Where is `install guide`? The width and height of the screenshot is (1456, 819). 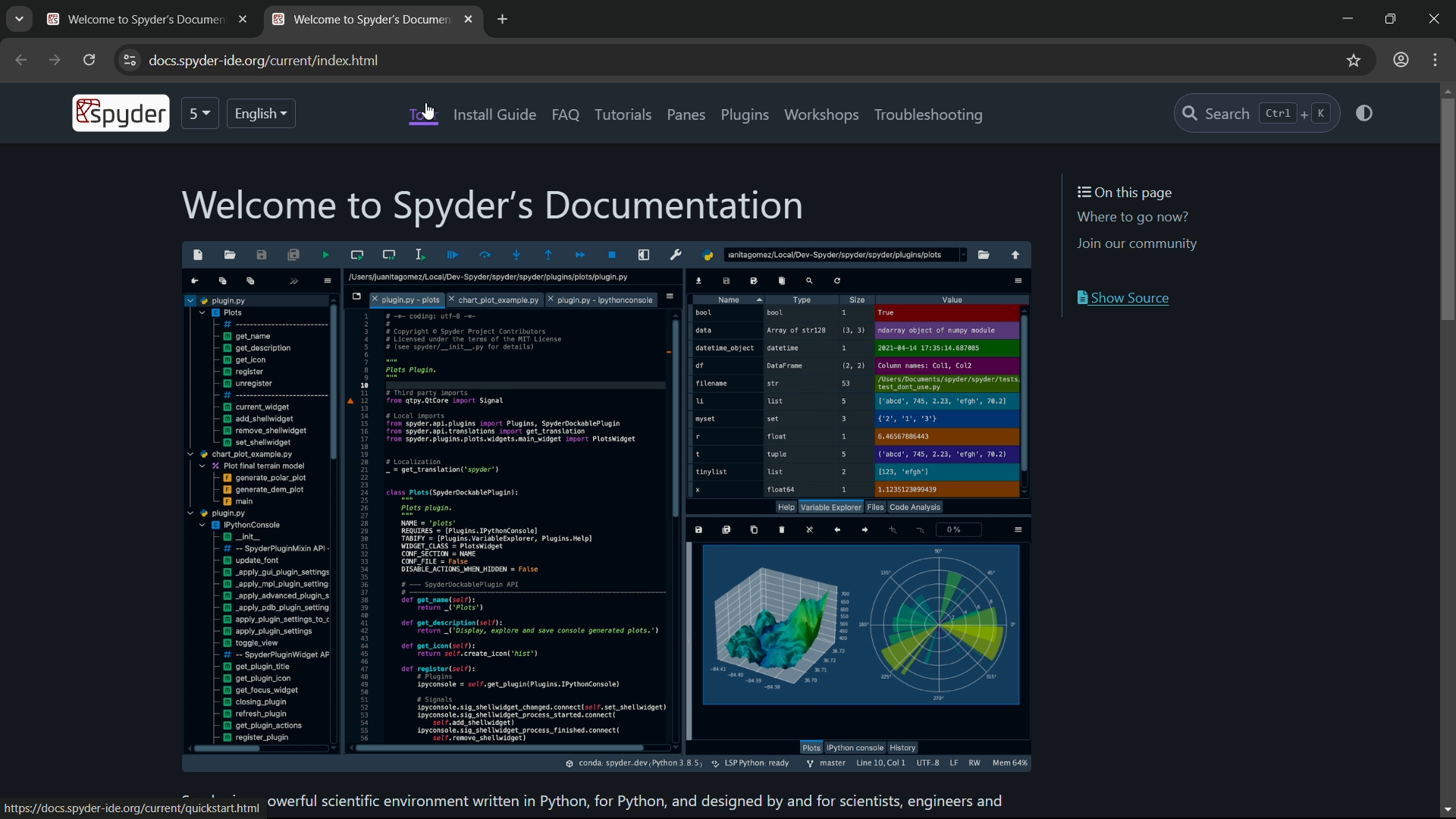 install guide is located at coordinates (497, 113).